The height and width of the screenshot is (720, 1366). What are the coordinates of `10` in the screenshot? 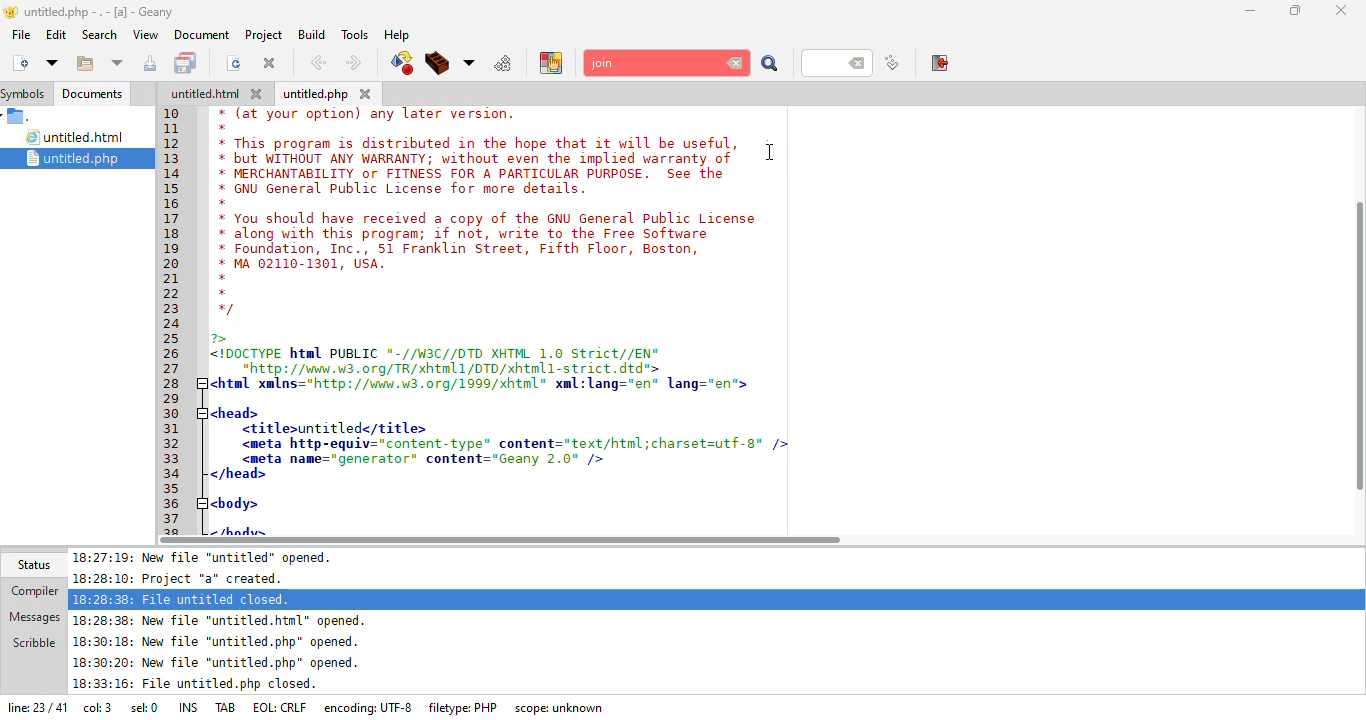 It's located at (172, 113).